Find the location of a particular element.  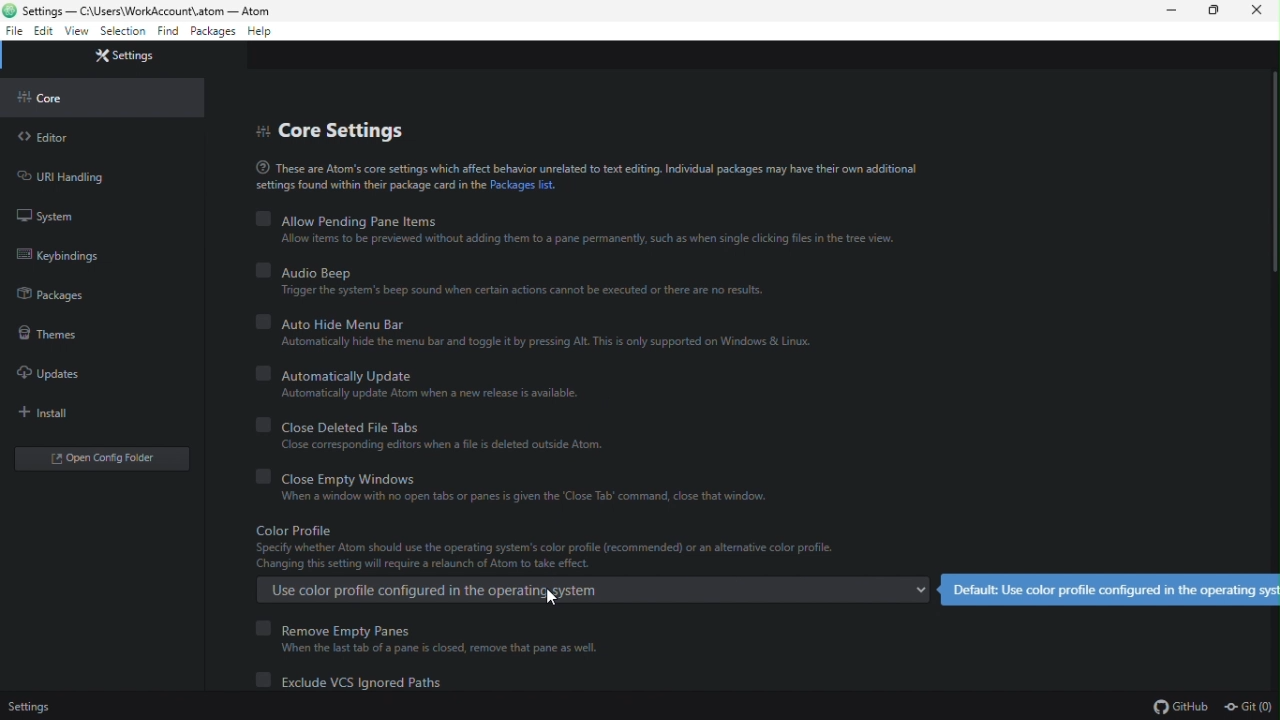

close is located at coordinates (1261, 14).